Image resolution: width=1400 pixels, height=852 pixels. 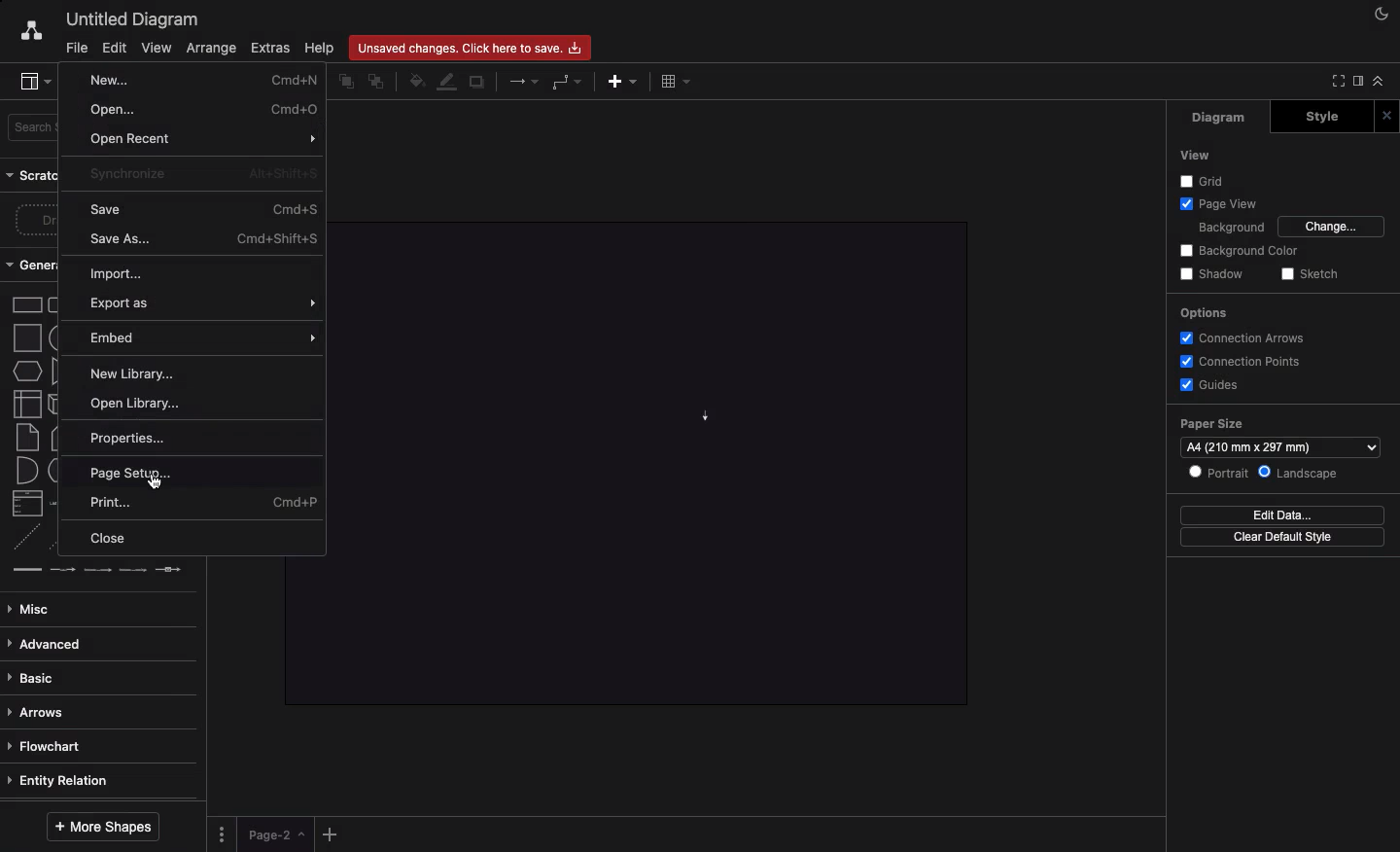 What do you see at coordinates (1205, 180) in the screenshot?
I see `Grid` at bounding box center [1205, 180].